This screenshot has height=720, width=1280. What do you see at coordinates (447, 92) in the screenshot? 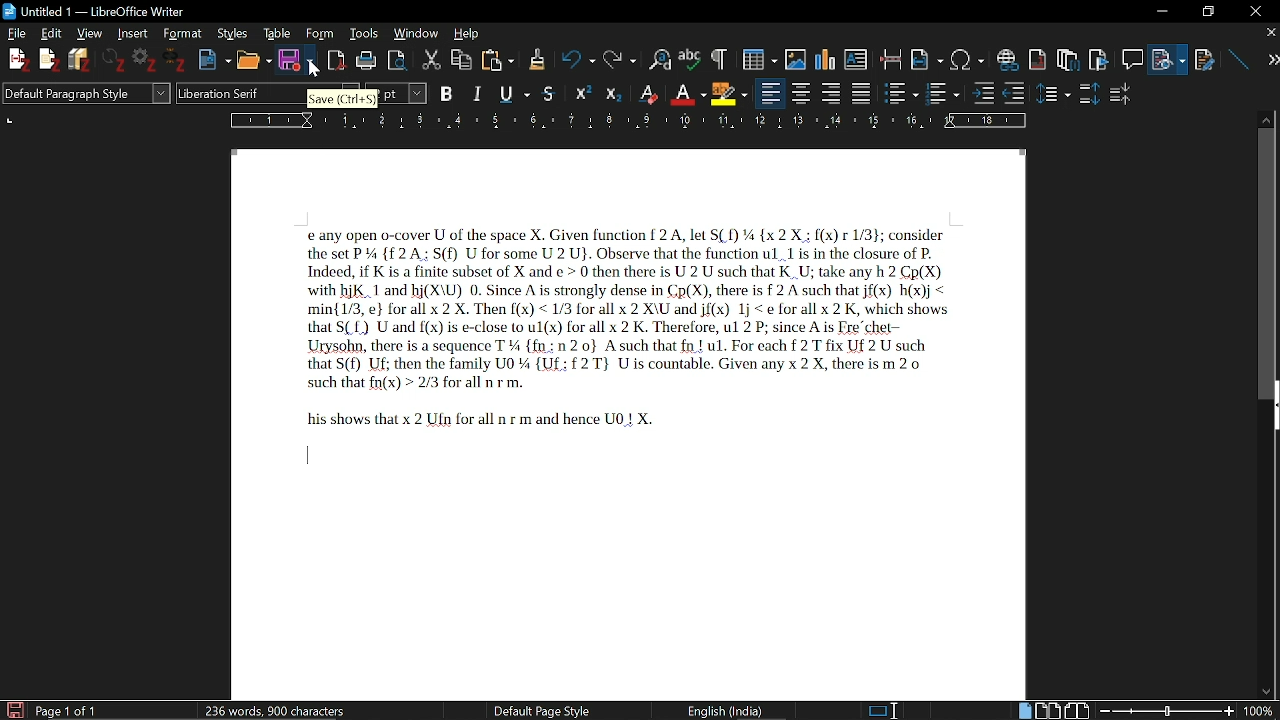
I see `B` at bounding box center [447, 92].